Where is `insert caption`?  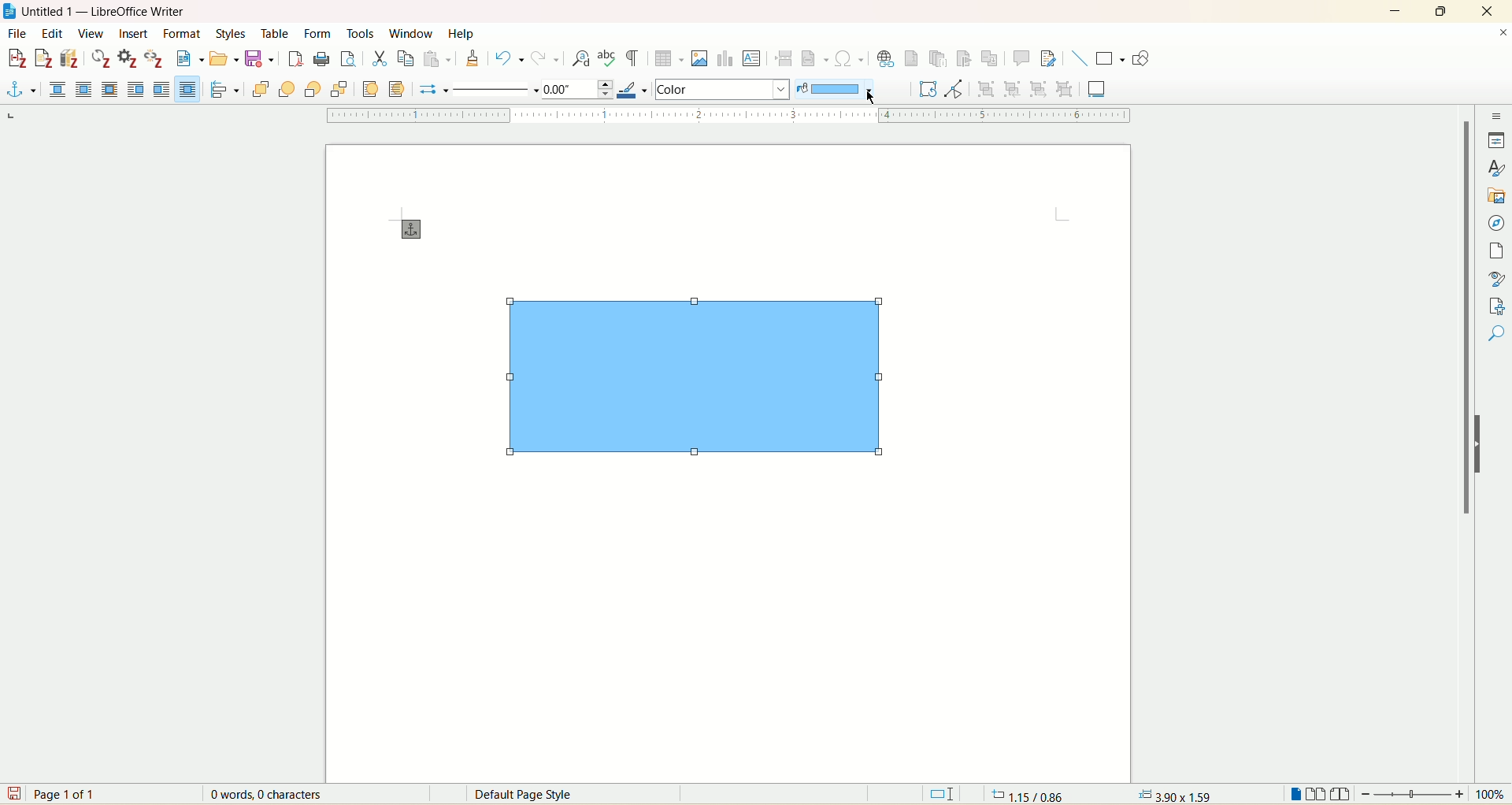
insert caption is located at coordinates (1098, 88).